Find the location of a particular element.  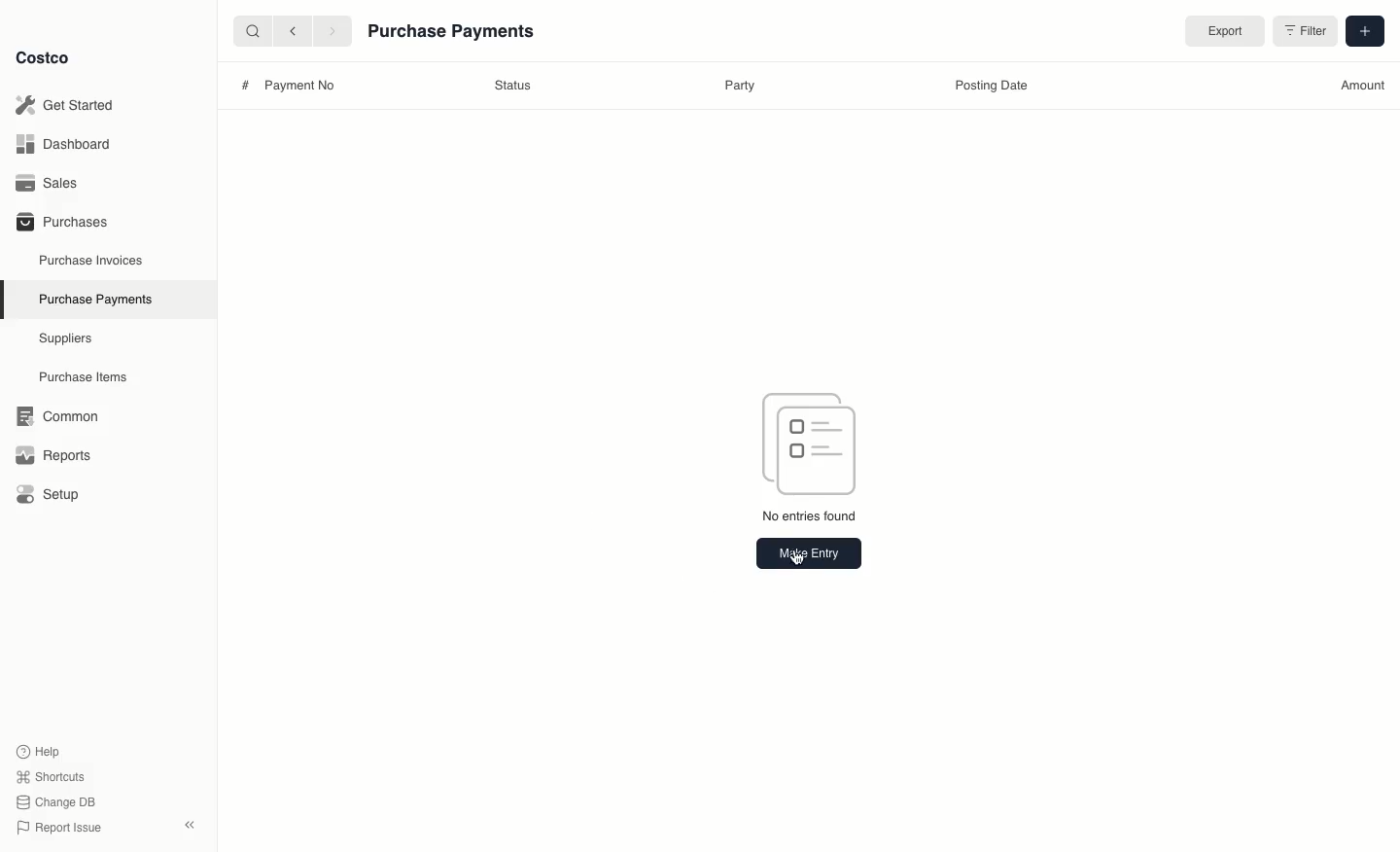

Filter is located at coordinates (1304, 34).